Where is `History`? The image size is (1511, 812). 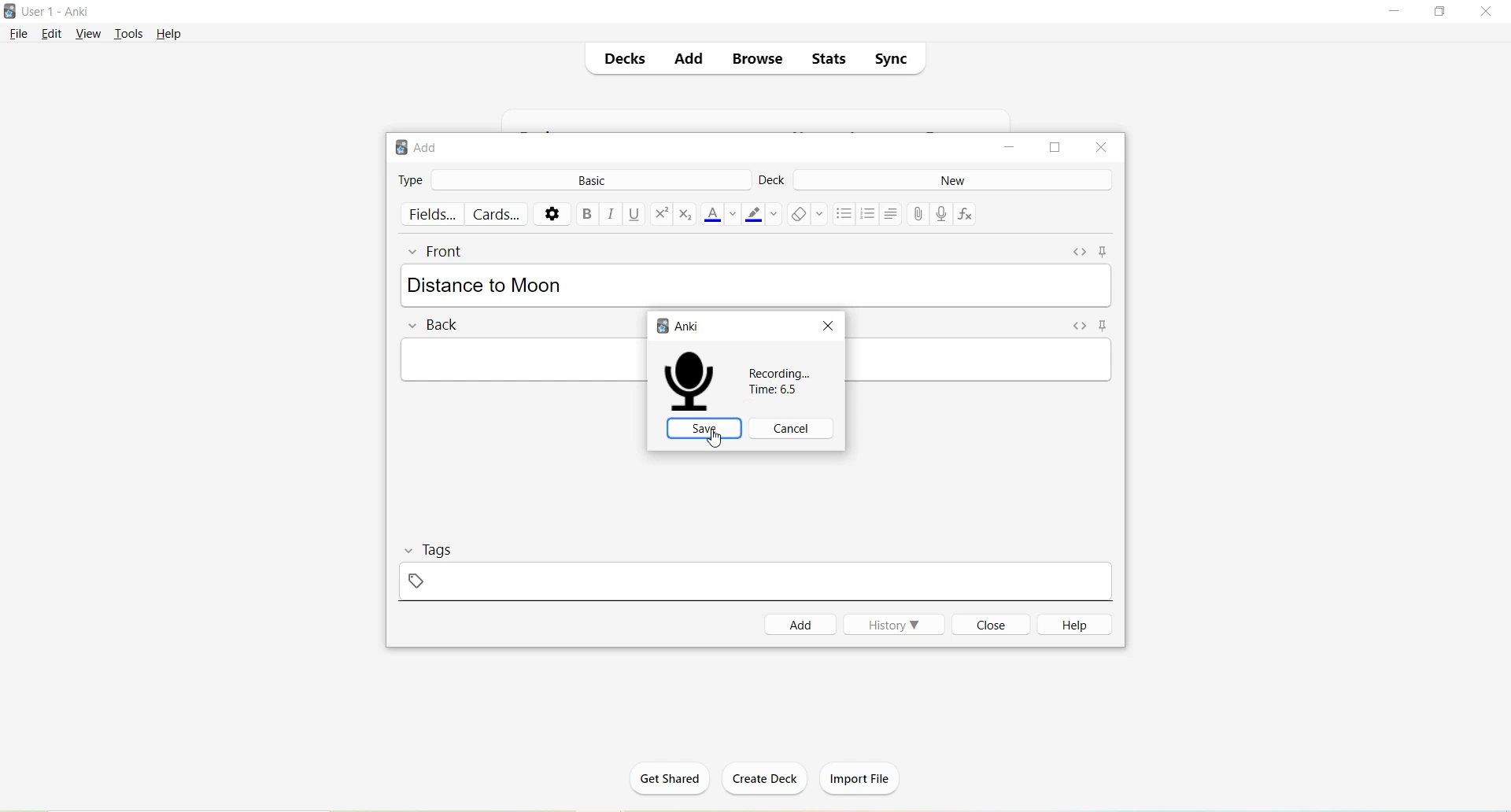
History is located at coordinates (894, 624).